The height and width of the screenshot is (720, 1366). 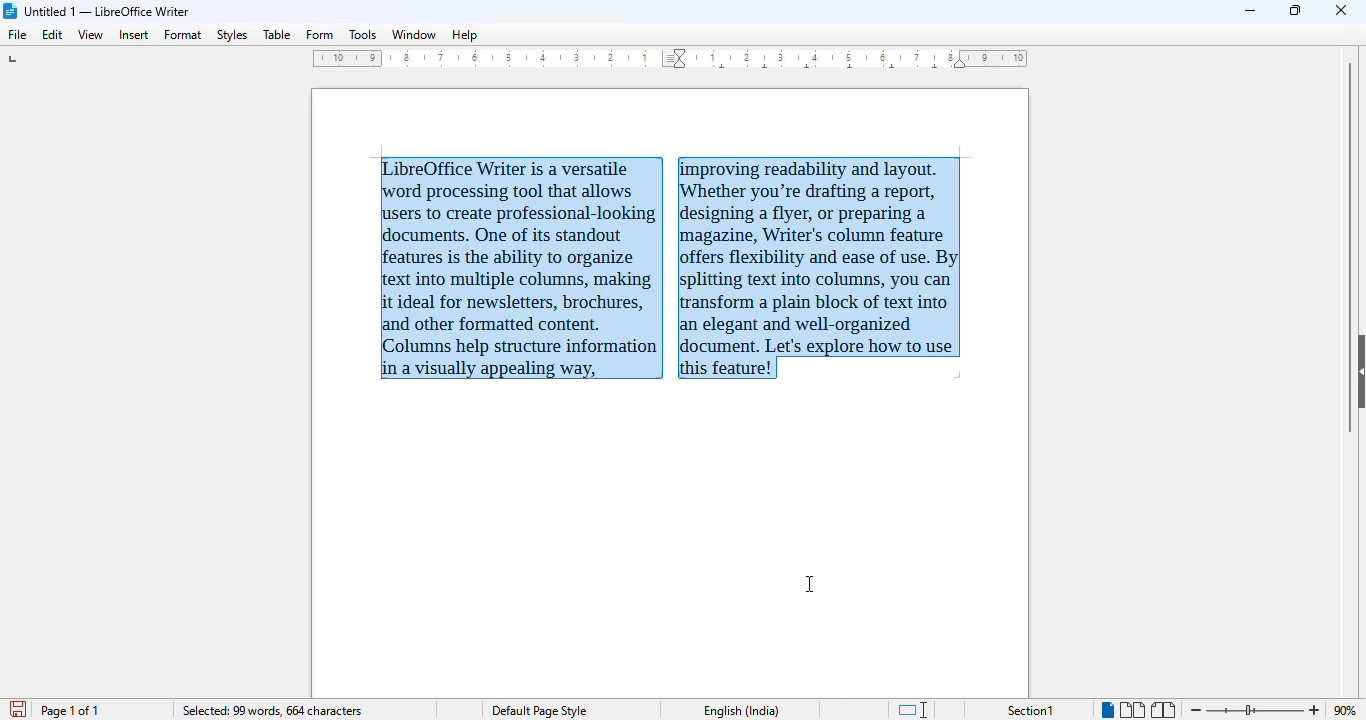 What do you see at coordinates (1028, 709) in the screenshot?
I see `Selection1` at bounding box center [1028, 709].